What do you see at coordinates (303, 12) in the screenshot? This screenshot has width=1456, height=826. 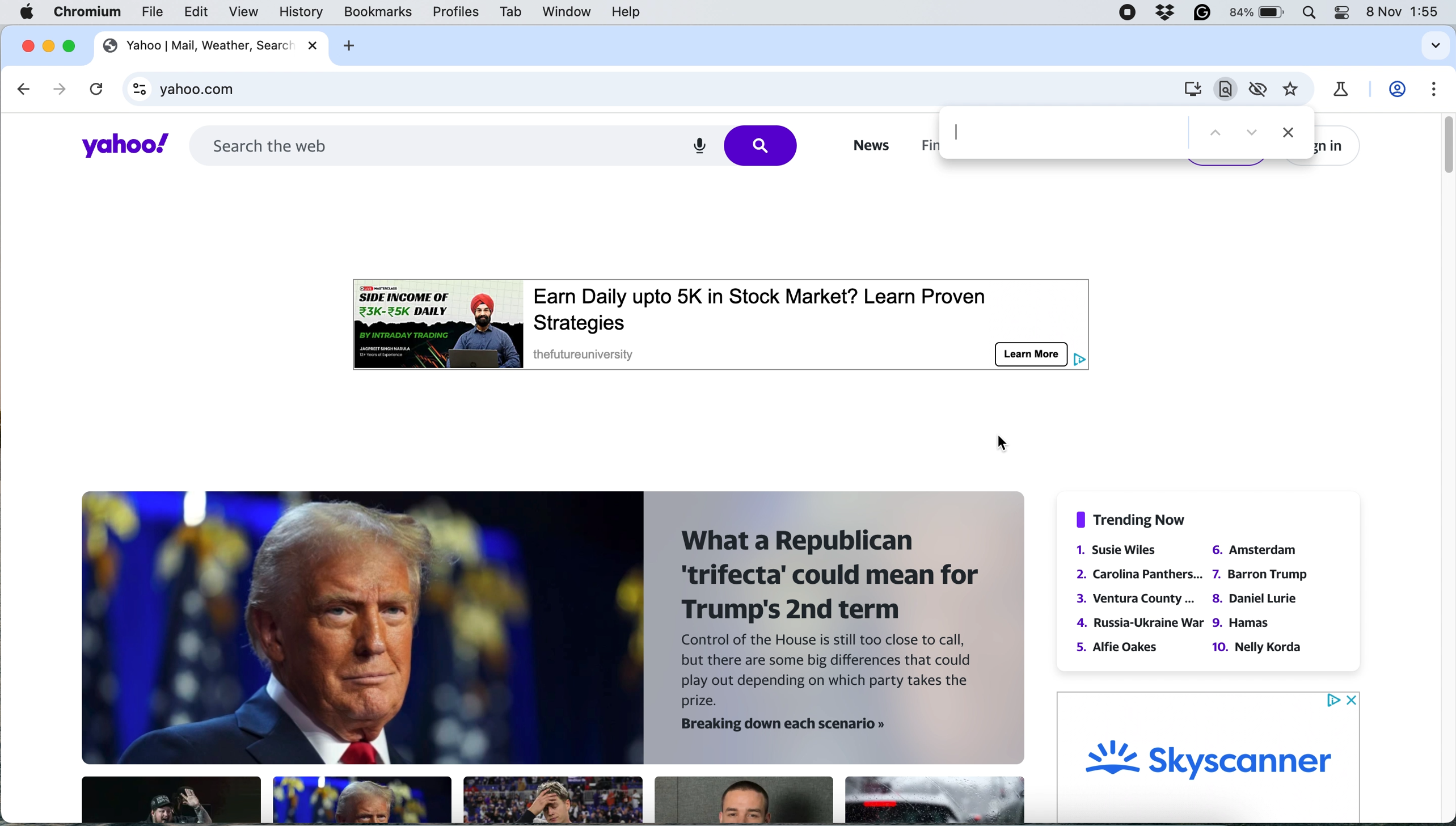 I see `history` at bounding box center [303, 12].